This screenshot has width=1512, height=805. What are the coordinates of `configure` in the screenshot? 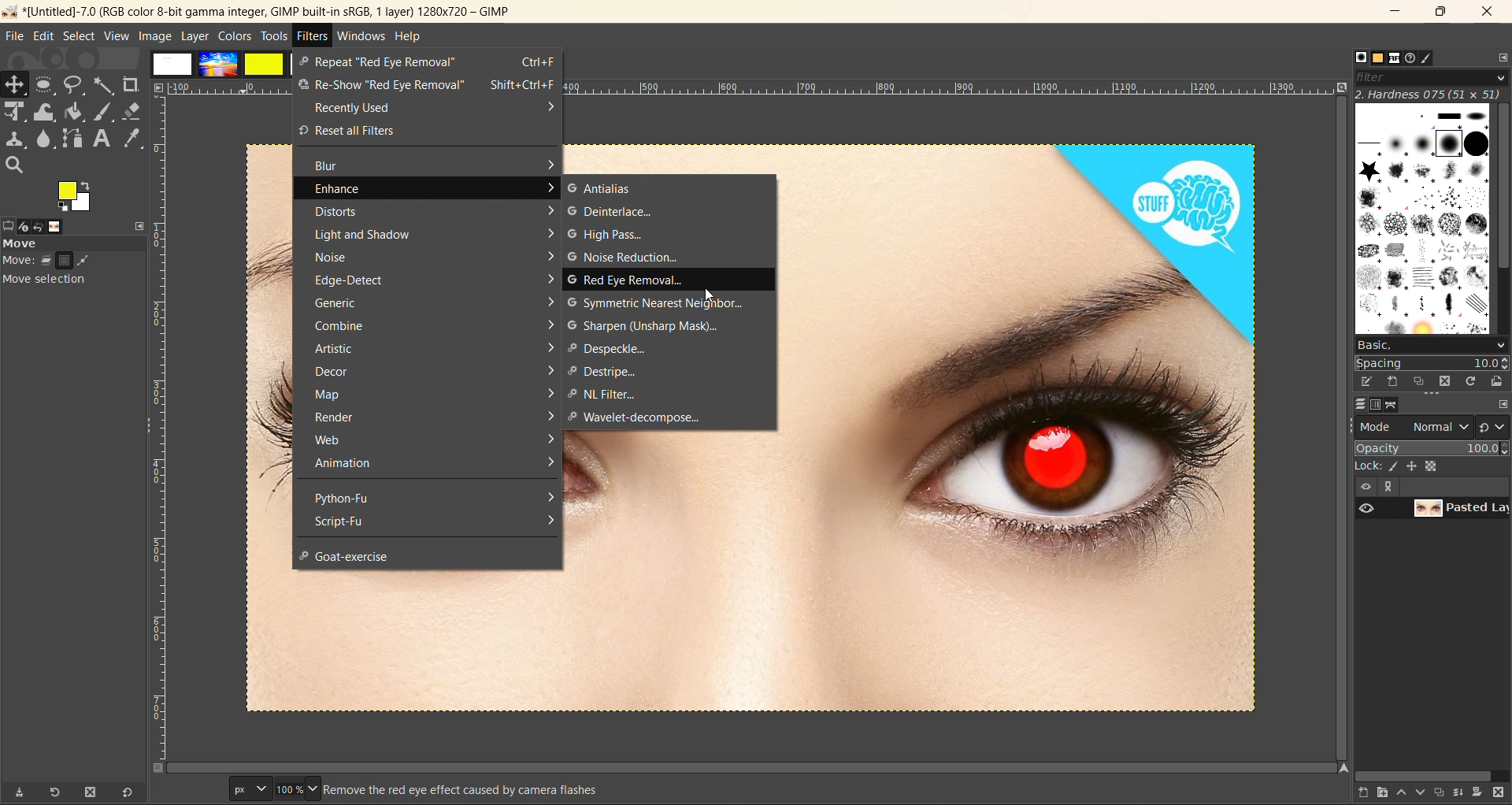 It's located at (1503, 57).